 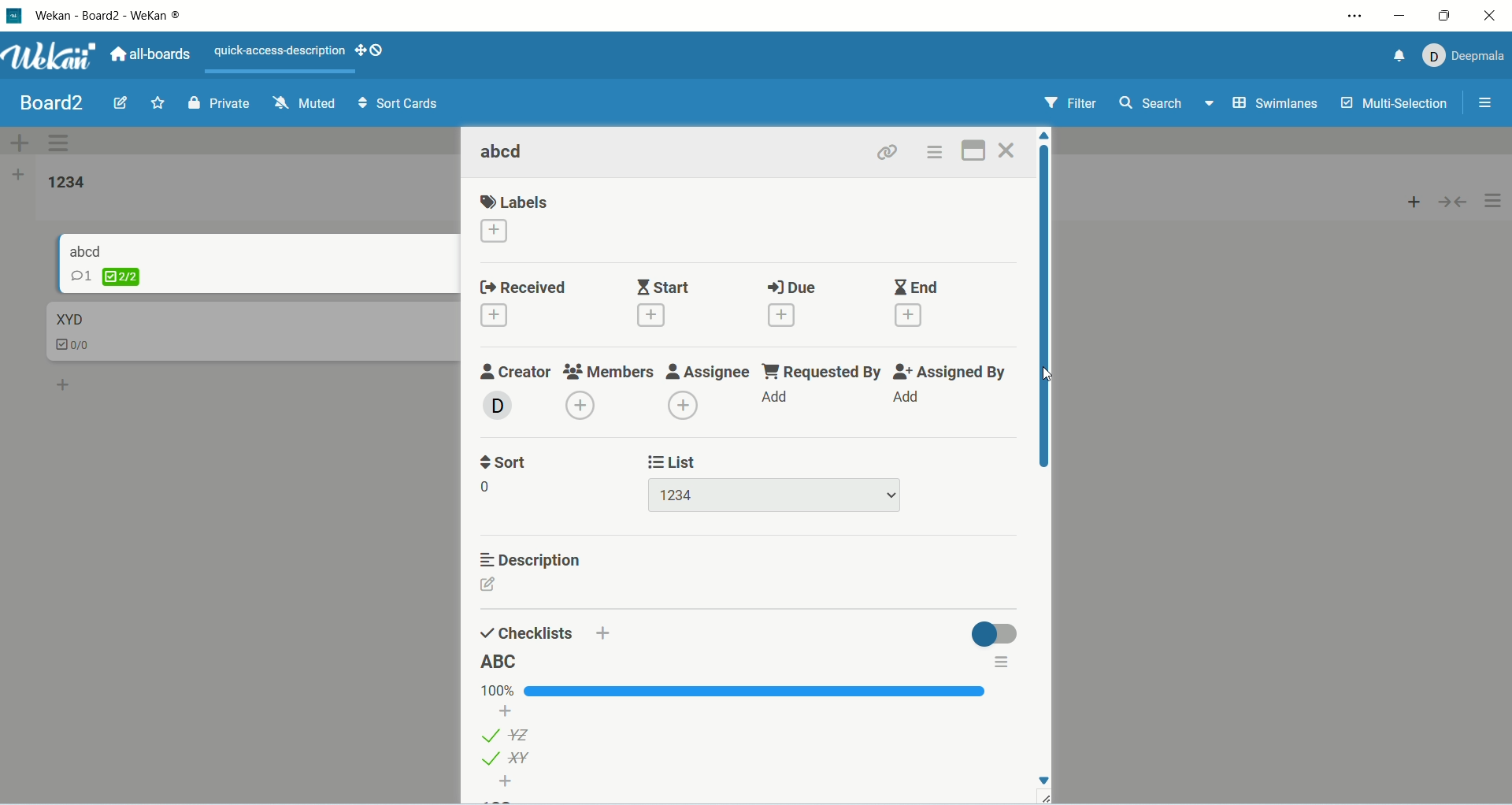 What do you see at coordinates (916, 287) in the screenshot?
I see `end` at bounding box center [916, 287].